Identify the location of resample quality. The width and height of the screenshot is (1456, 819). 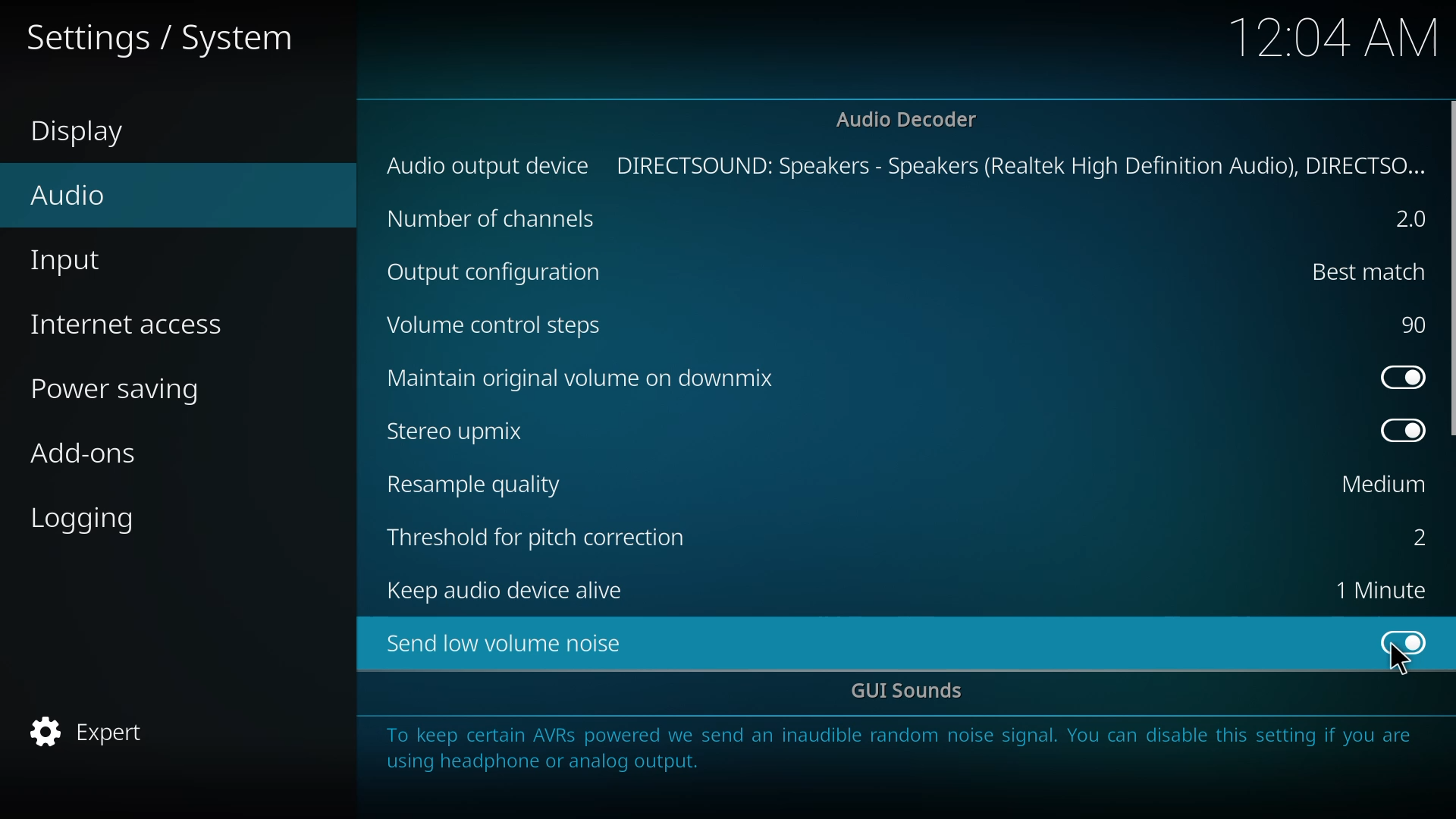
(485, 482).